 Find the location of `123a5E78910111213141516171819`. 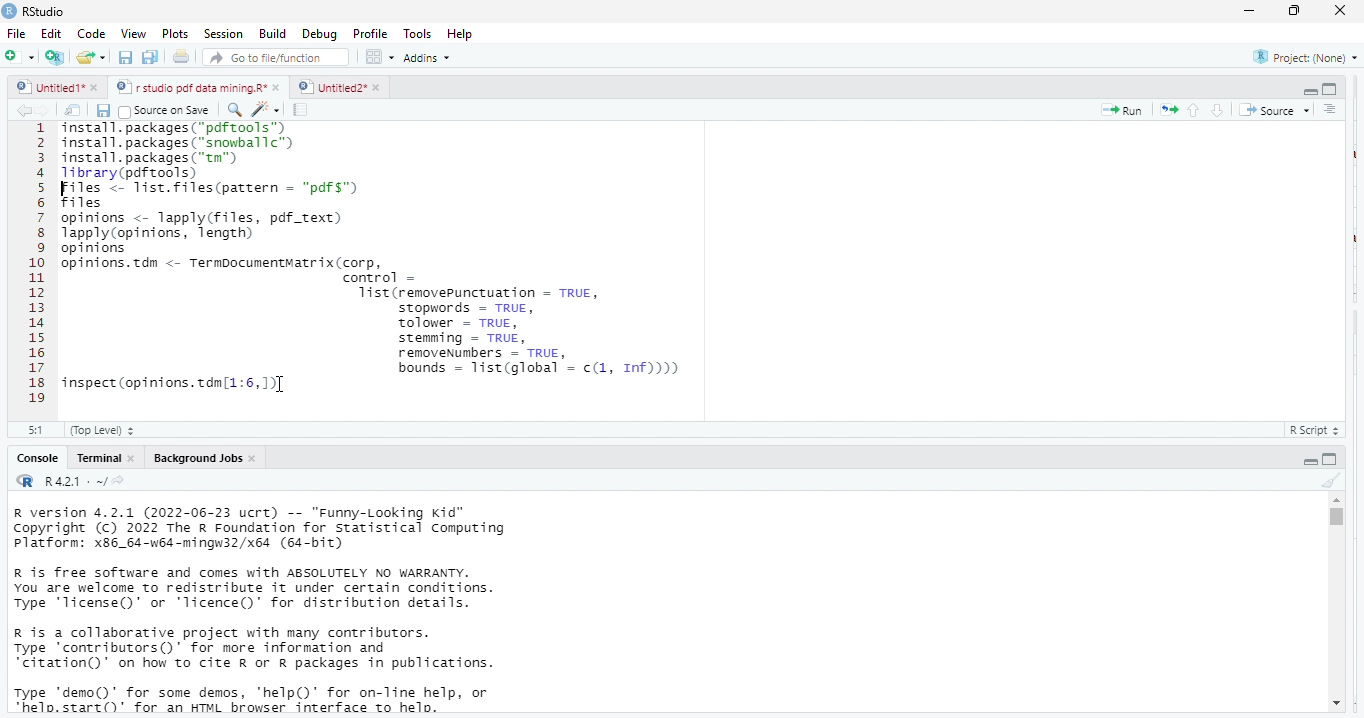

123a5E78910111213141516171819 is located at coordinates (37, 265).